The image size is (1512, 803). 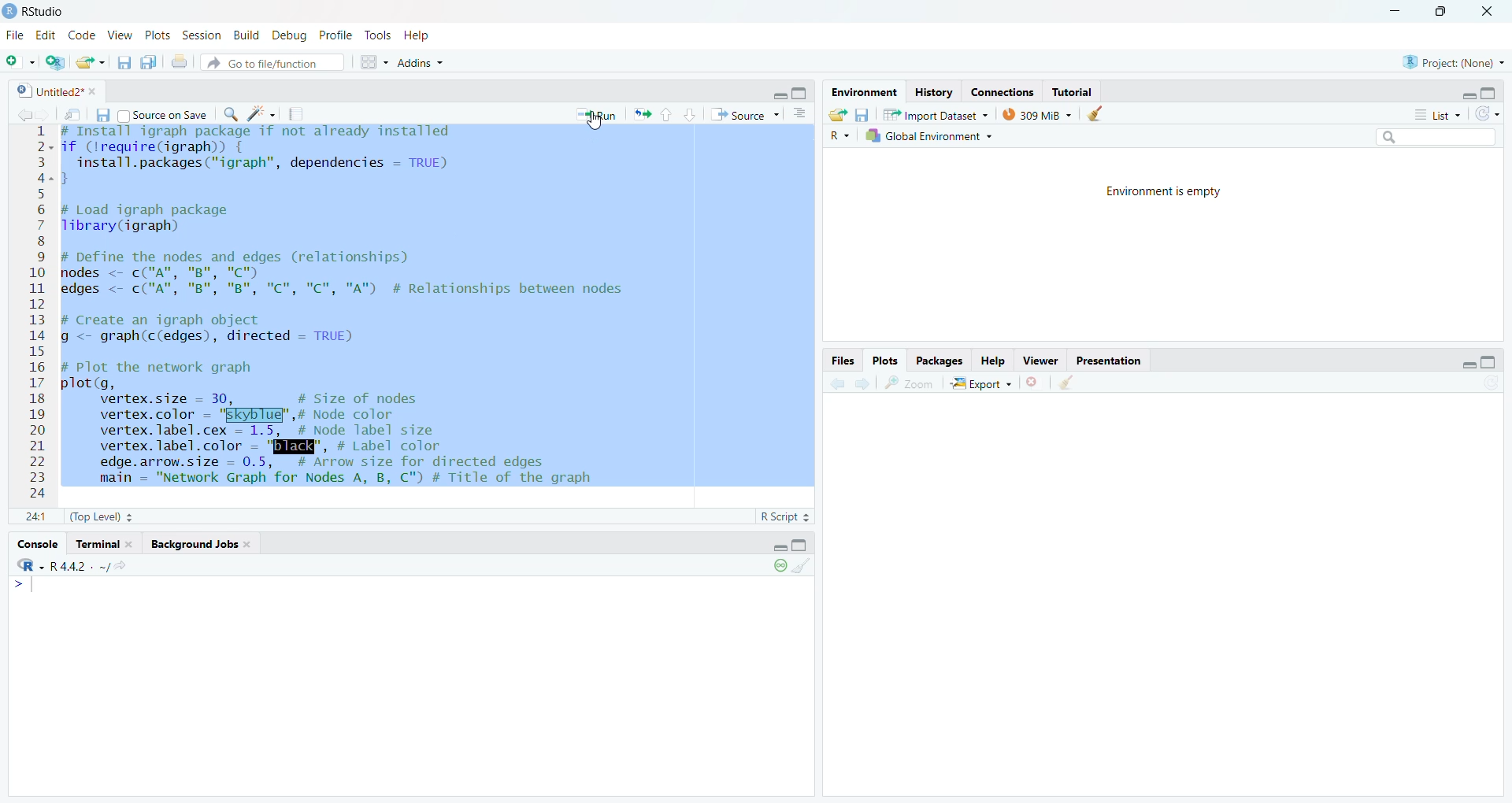 I want to click on minimise, so click(x=1463, y=365).